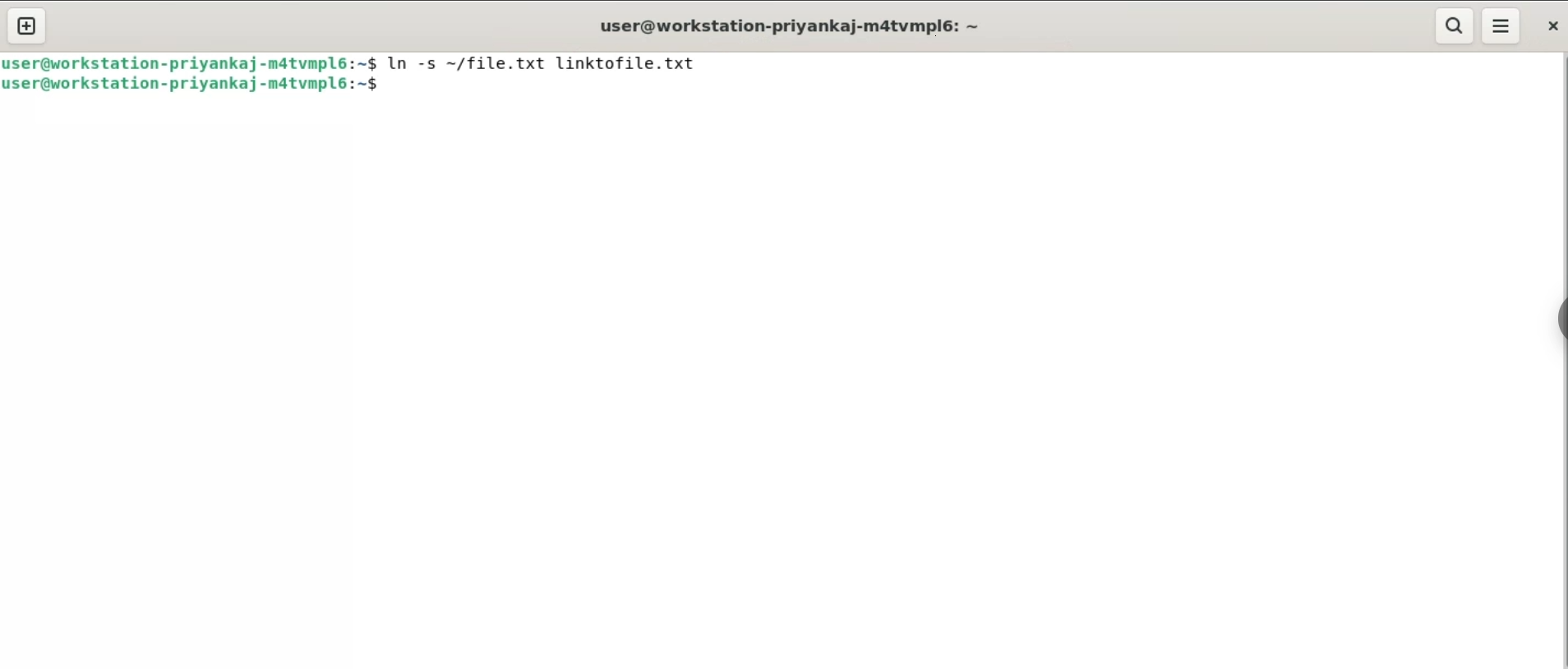  Describe the element at coordinates (1556, 316) in the screenshot. I see `sidebar` at that location.